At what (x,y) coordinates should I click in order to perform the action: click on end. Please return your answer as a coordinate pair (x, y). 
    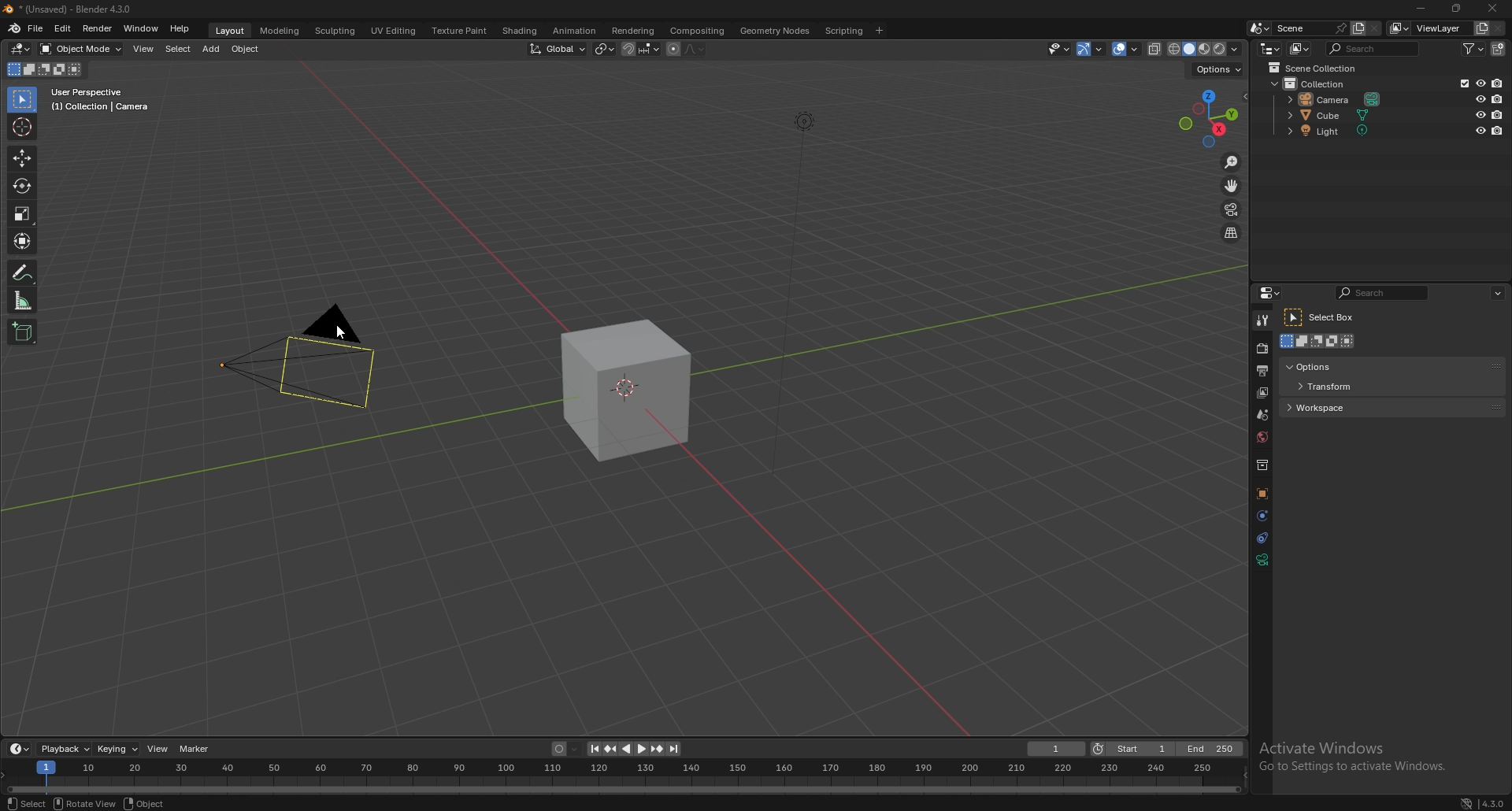
    Looking at the image, I should click on (1212, 749).